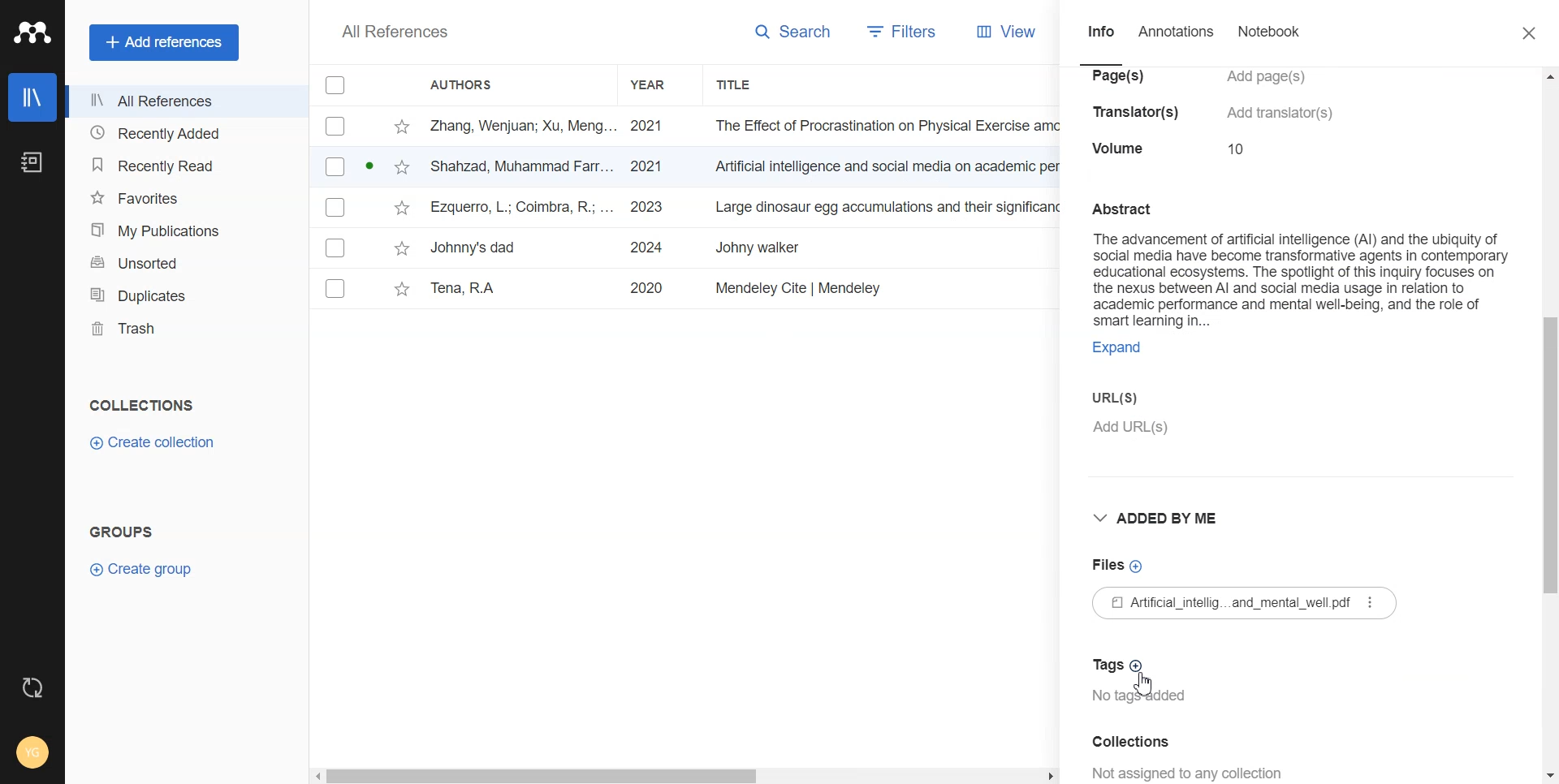 Image resolution: width=1559 pixels, height=784 pixels. What do you see at coordinates (122, 531) in the screenshot?
I see `Group` at bounding box center [122, 531].